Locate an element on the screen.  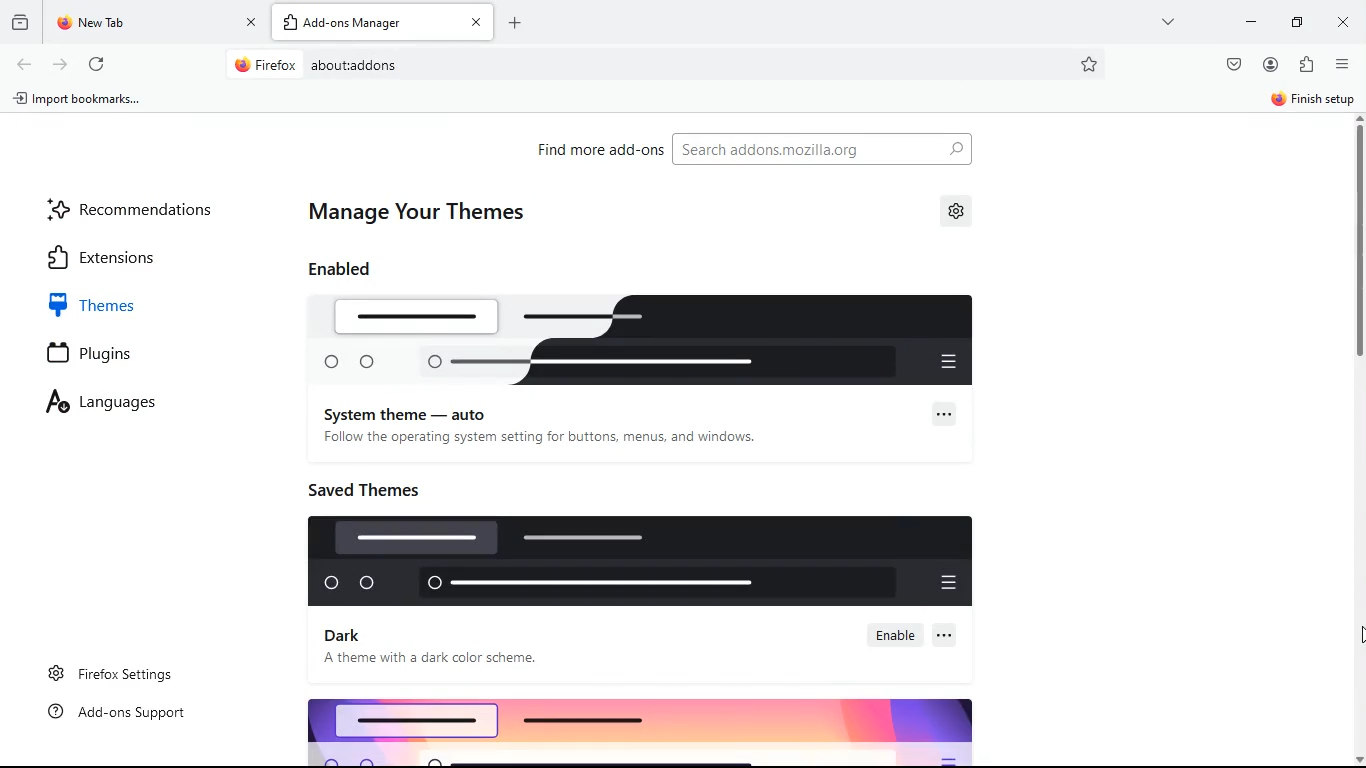
about:addons is located at coordinates (353, 66).